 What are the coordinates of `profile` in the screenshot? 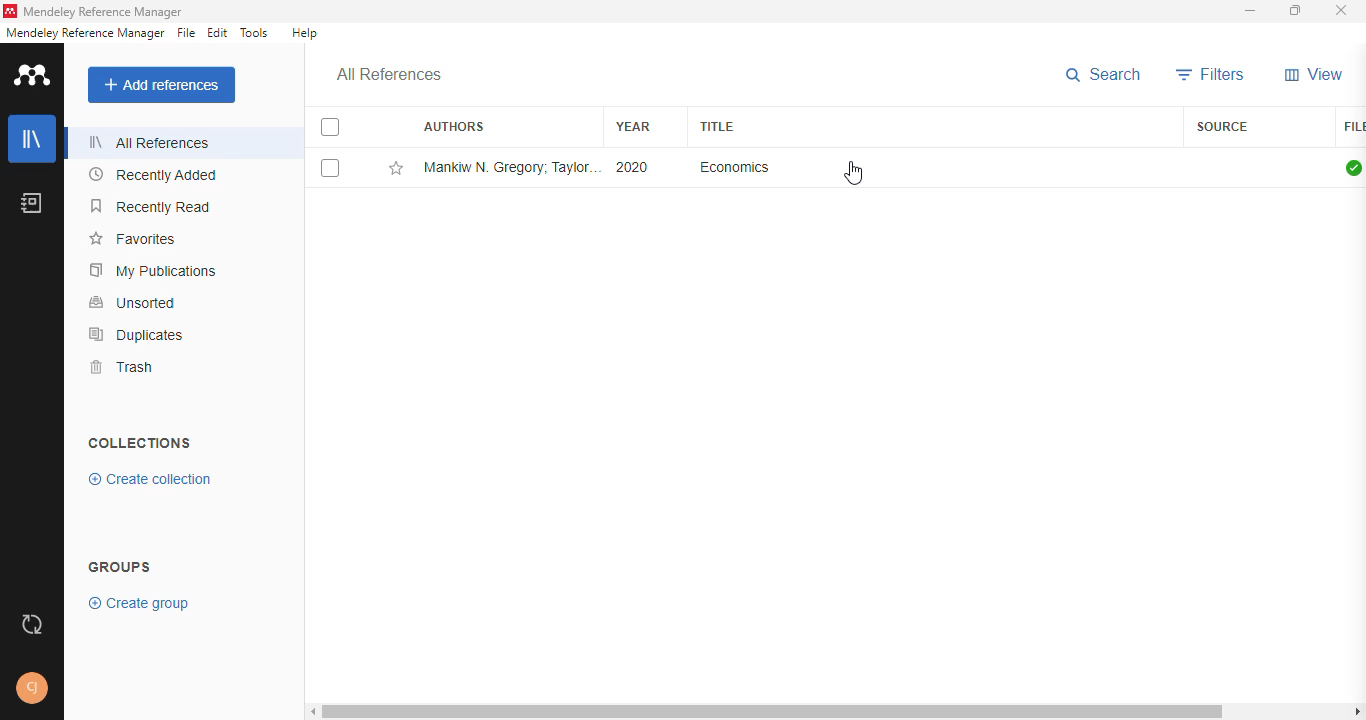 It's located at (33, 688).